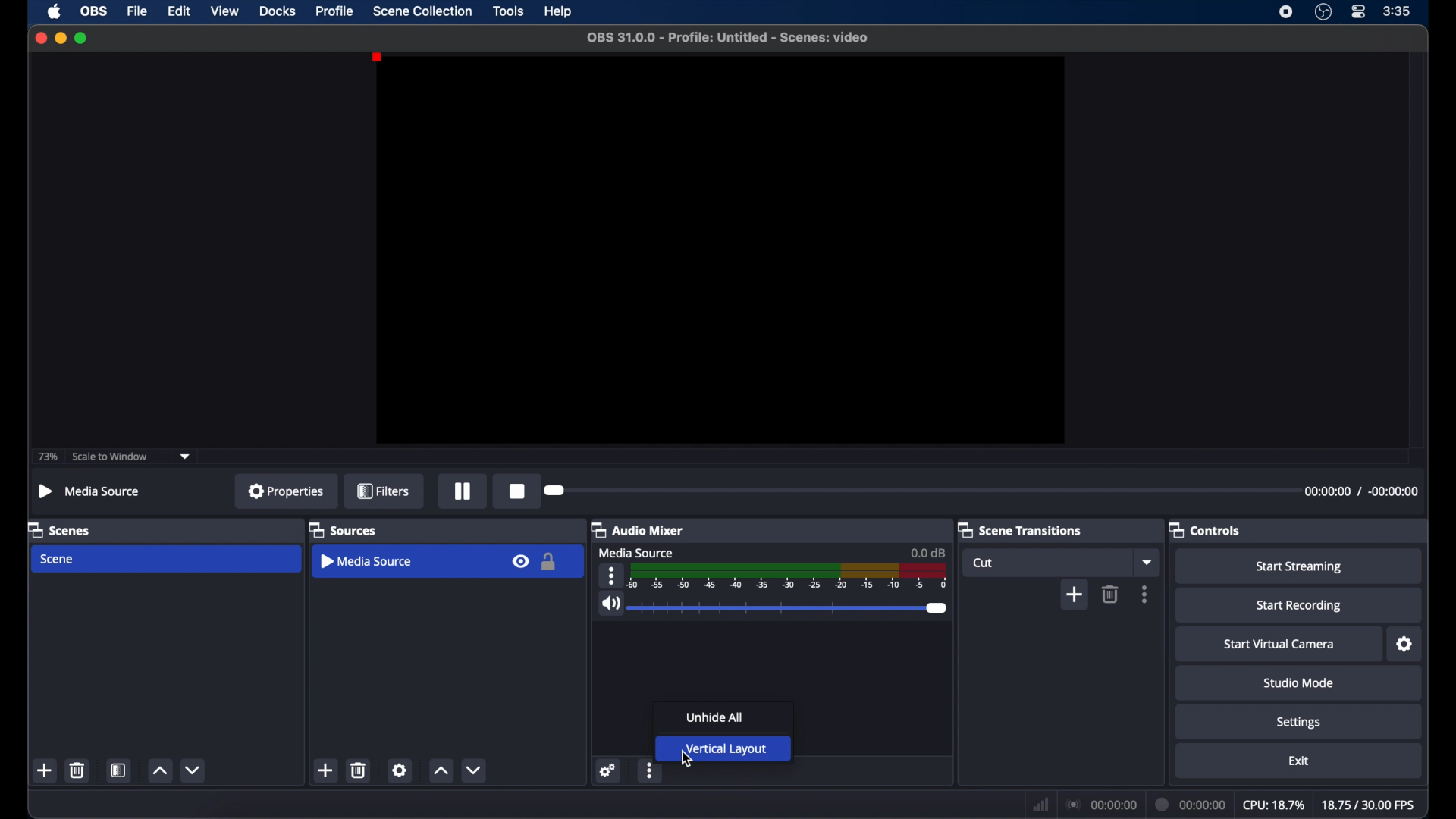  What do you see at coordinates (1019, 529) in the screenshot?
I see `scene transitions` at bounding box center [1019, 529].